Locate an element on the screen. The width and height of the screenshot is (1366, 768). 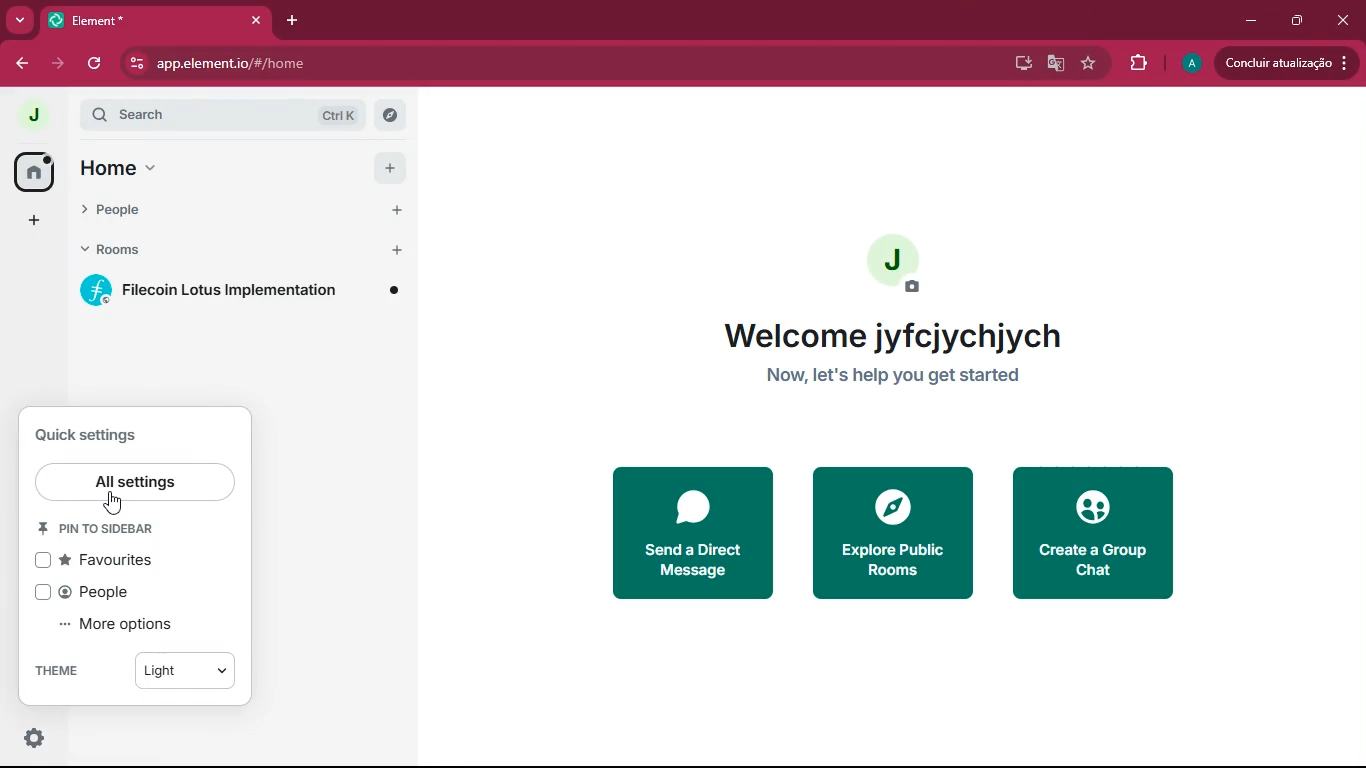
app.element.io/#/home is located at coordinates (406, 65).